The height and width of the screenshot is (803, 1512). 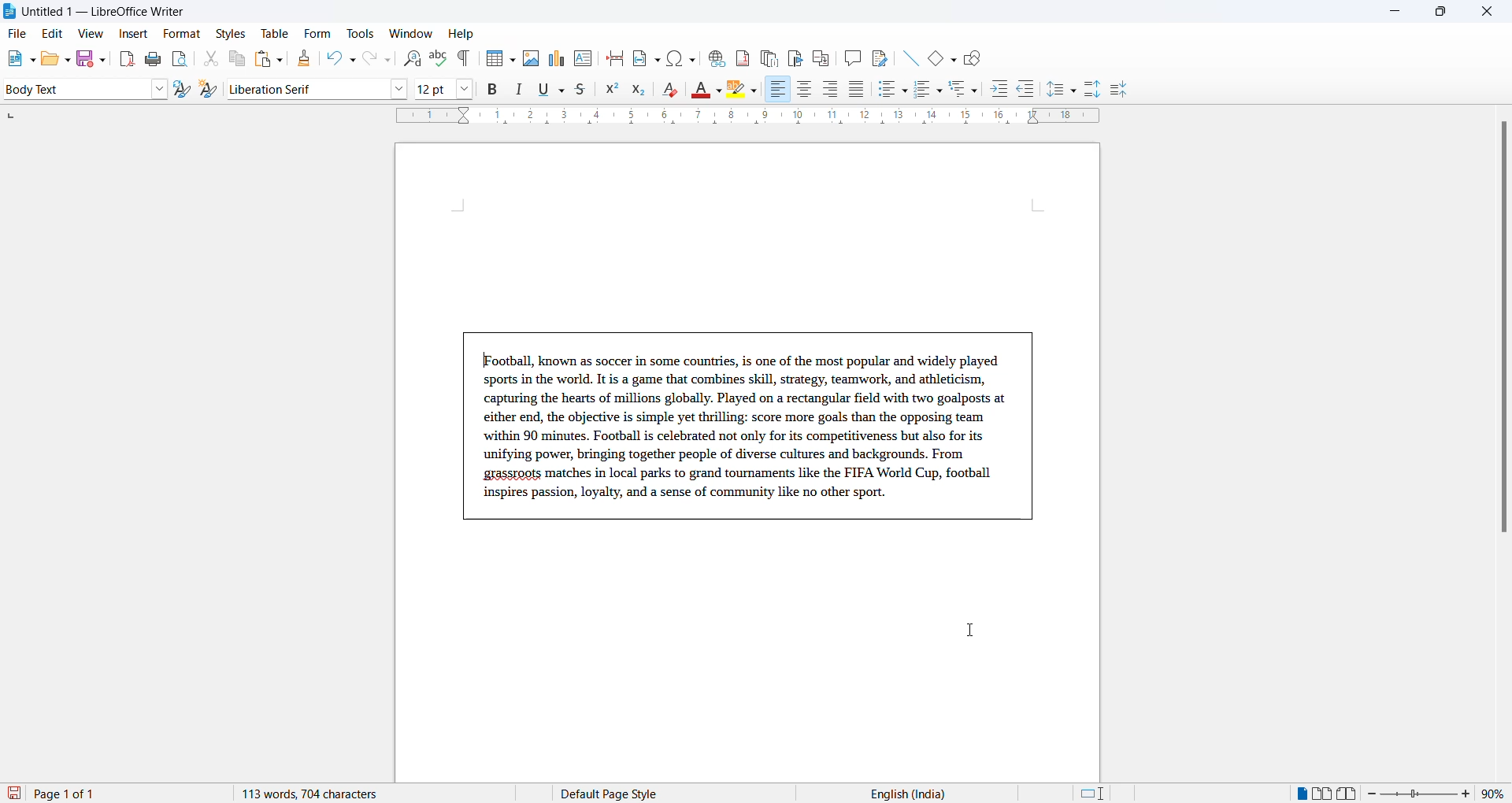 What do you see at coordinates (1117, 91) in the screenshot?
I see `decrease paragraph spacing` at bounding box center [1117, 91].